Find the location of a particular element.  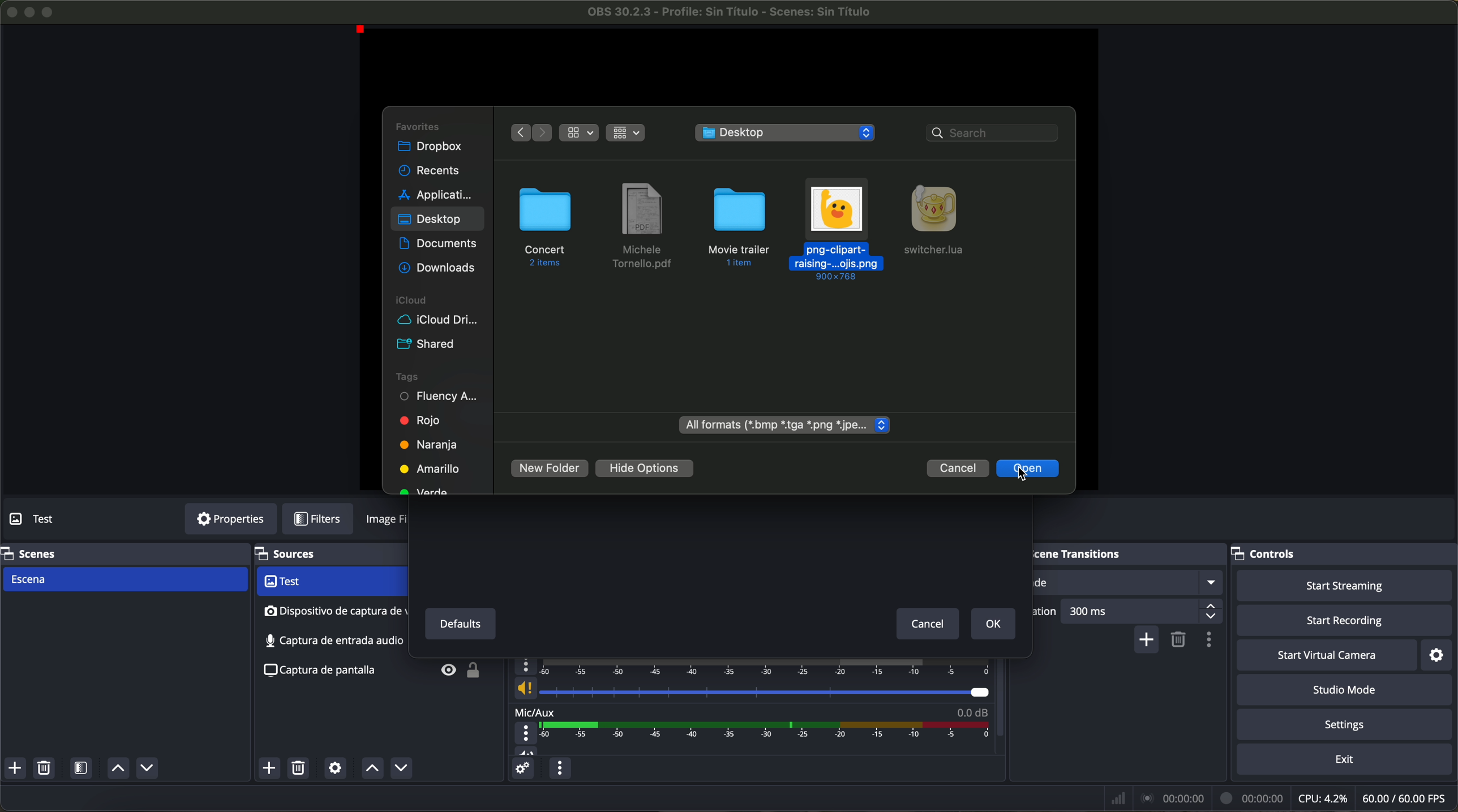

controls is located at coordinates (1274, 551).